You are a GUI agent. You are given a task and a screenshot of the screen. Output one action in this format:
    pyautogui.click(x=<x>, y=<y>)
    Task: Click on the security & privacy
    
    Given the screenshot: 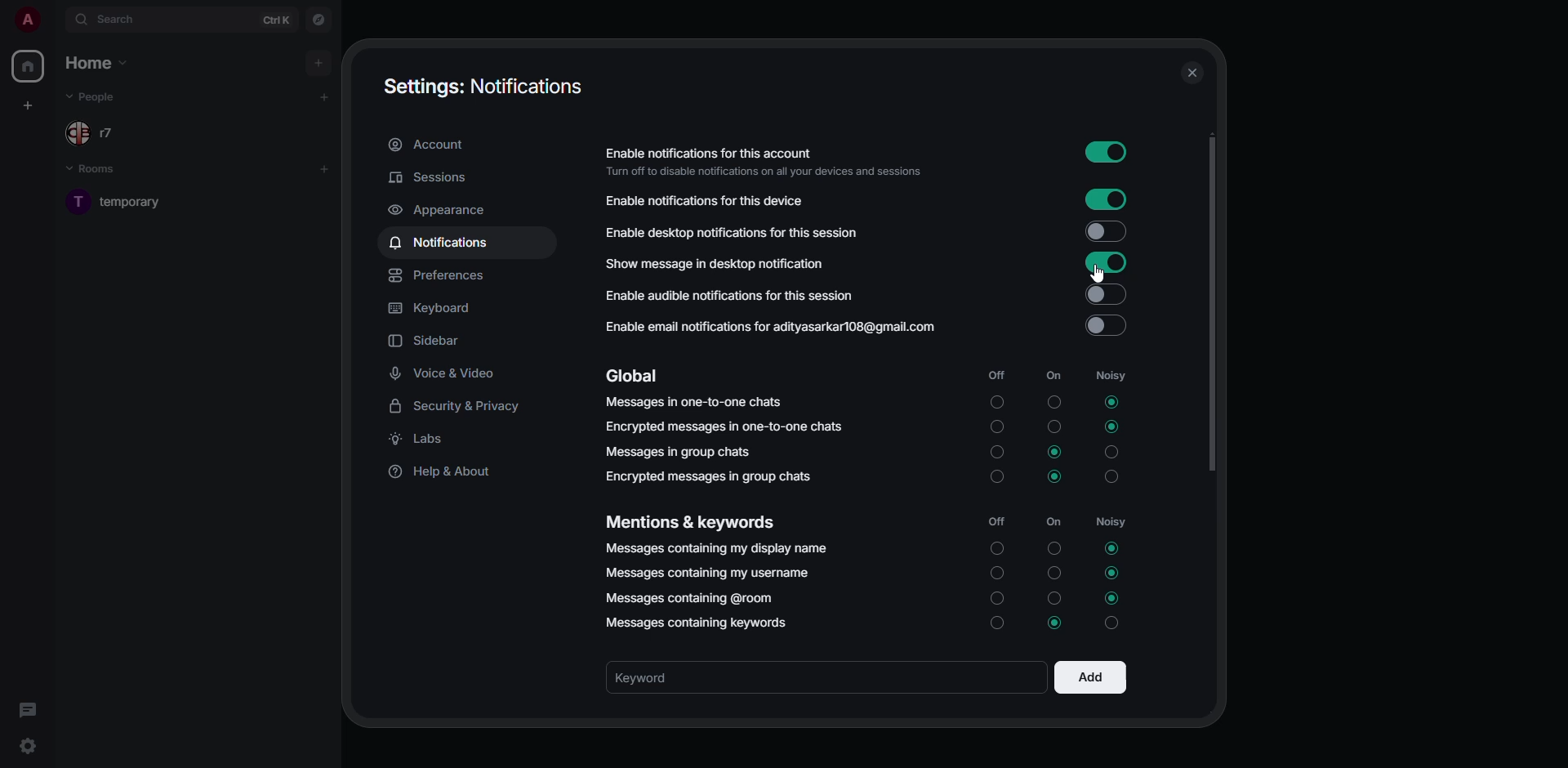 What is the action you would take?
    pyautogui.click(x=459, y=405)
    